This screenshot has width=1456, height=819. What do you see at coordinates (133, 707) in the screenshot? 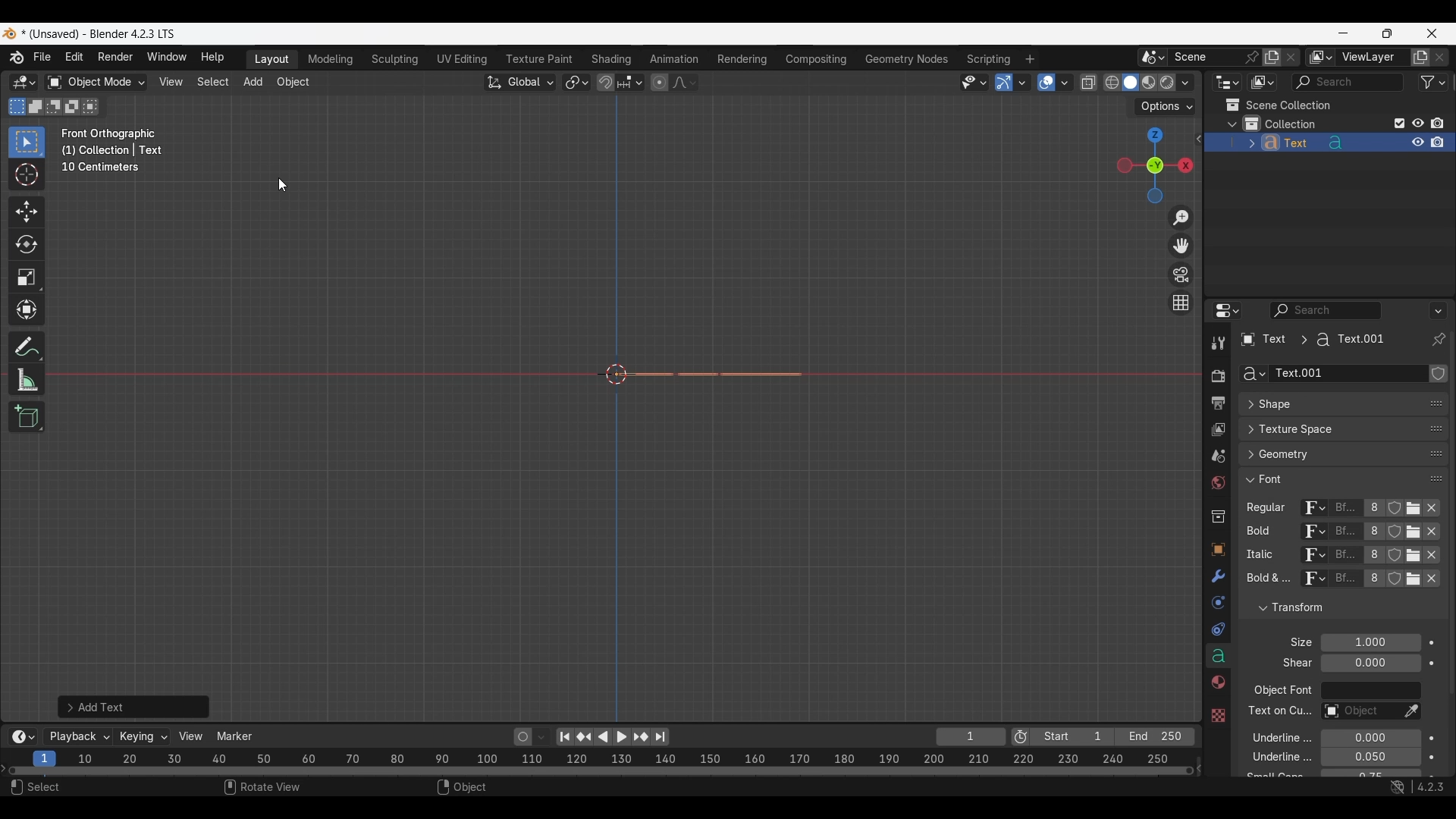
I see `Add text` at bounding box center [133, 707].